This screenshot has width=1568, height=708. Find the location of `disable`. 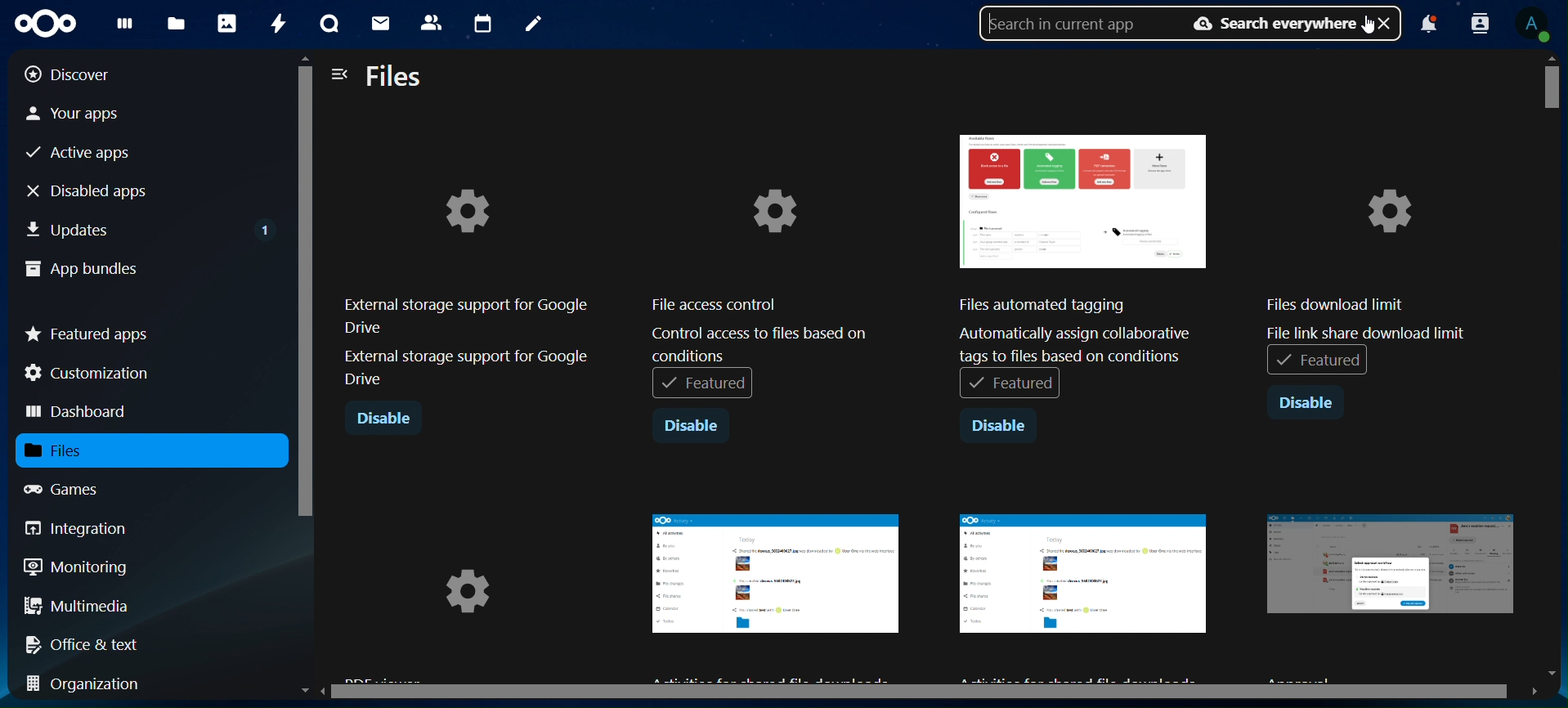

disable is located at coordinates (997, 427).